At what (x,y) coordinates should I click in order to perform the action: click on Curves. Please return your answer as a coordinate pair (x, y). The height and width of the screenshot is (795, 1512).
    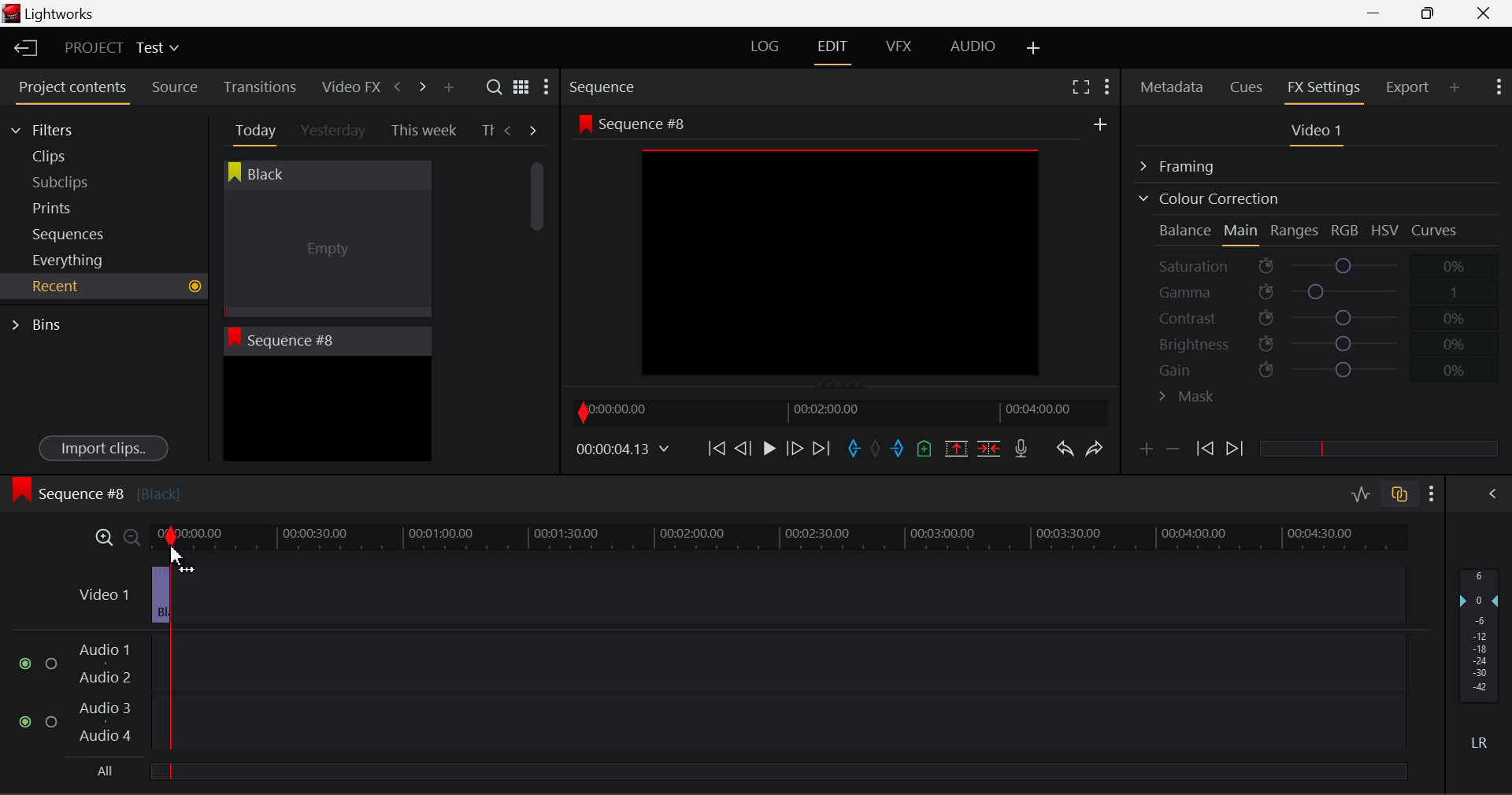
    Looking at the image, I should click on (1436, 230).